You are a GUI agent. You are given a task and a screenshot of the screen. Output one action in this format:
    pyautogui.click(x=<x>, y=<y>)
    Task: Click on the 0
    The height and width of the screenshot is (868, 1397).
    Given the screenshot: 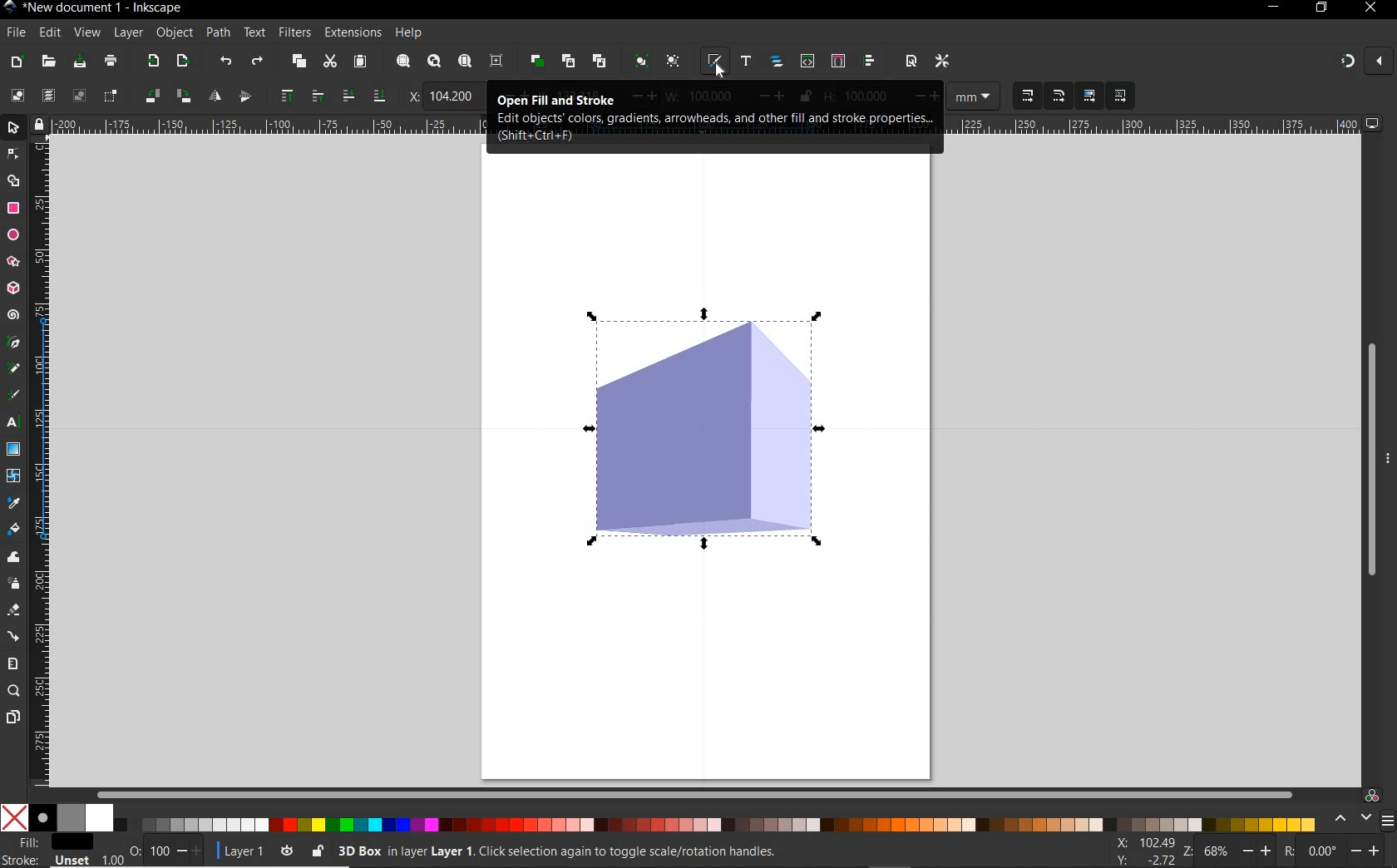 What is the action you would take?
    pyautogui.click(x=1325, y=851)
    